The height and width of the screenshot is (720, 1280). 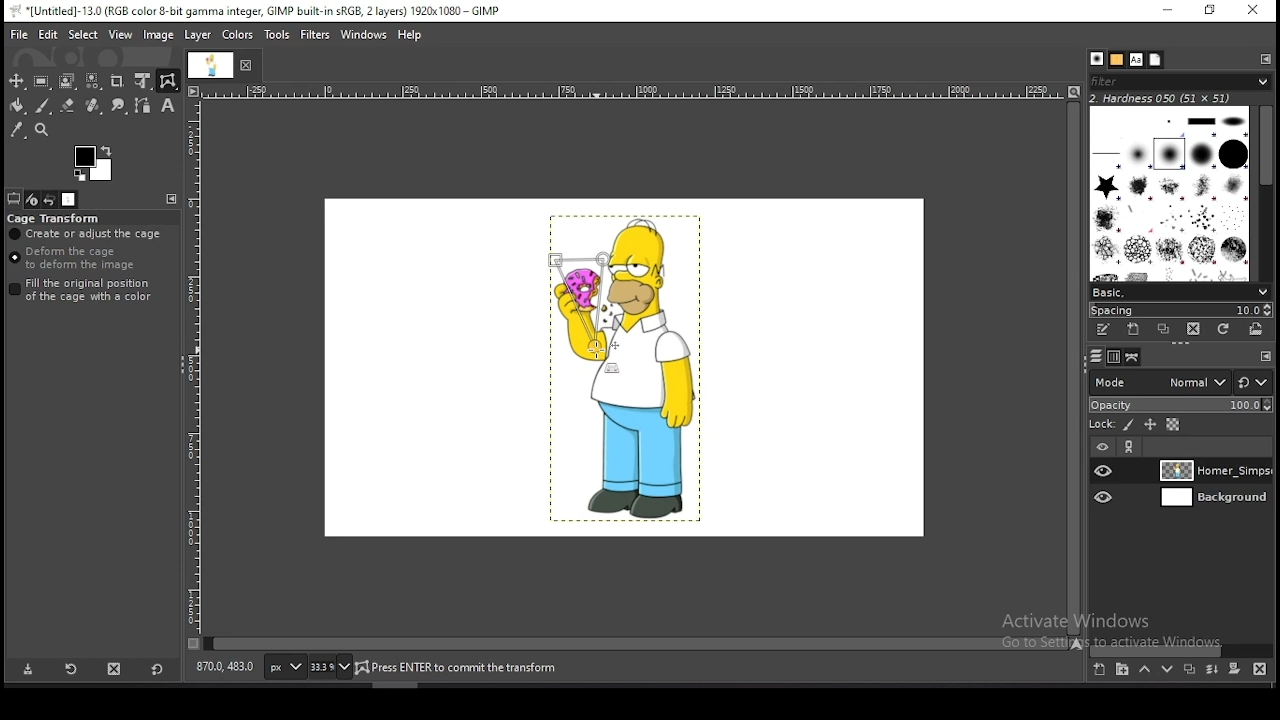 What do you see at coordinates (1105, 471) in the screenshot?
I see `layer visibility on/off` at bounding box center [1105, 471].